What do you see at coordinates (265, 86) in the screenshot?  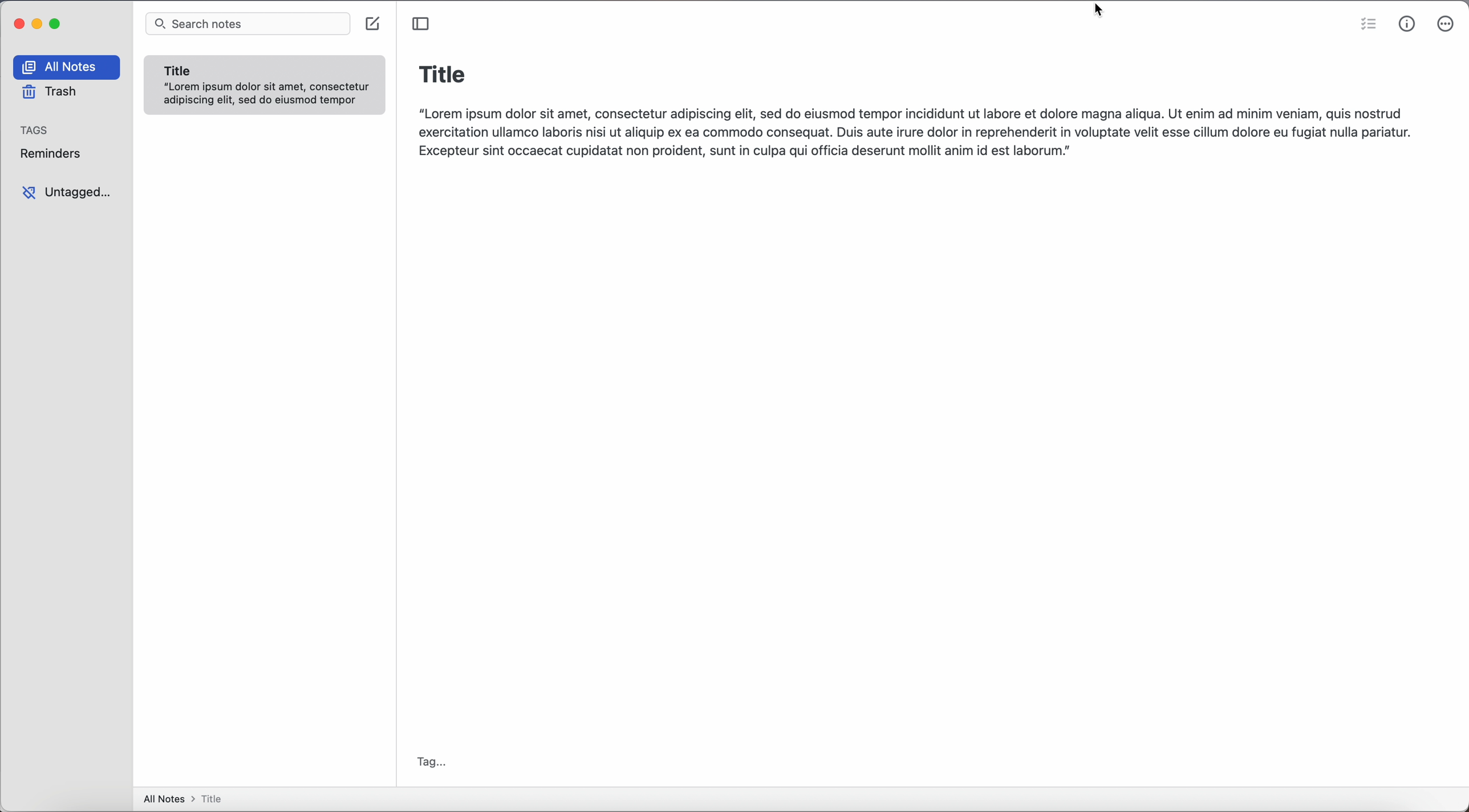 I see `note` at bounding box center [265, 86].